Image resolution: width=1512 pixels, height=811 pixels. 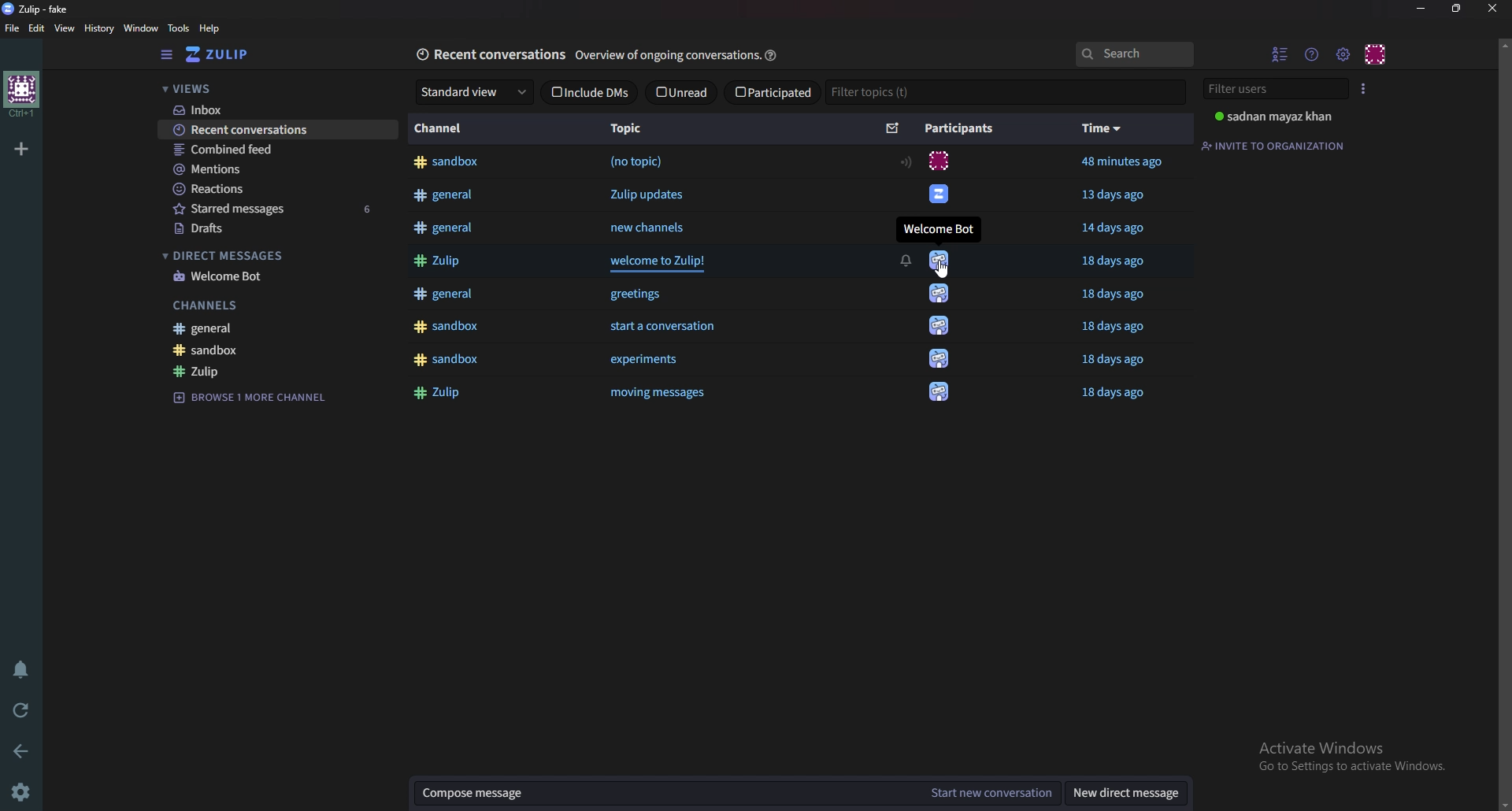 What do you see at coordinates (1114, 361) in the screenshot?
I see `18 days ago` at bounding box center [1114, 361].